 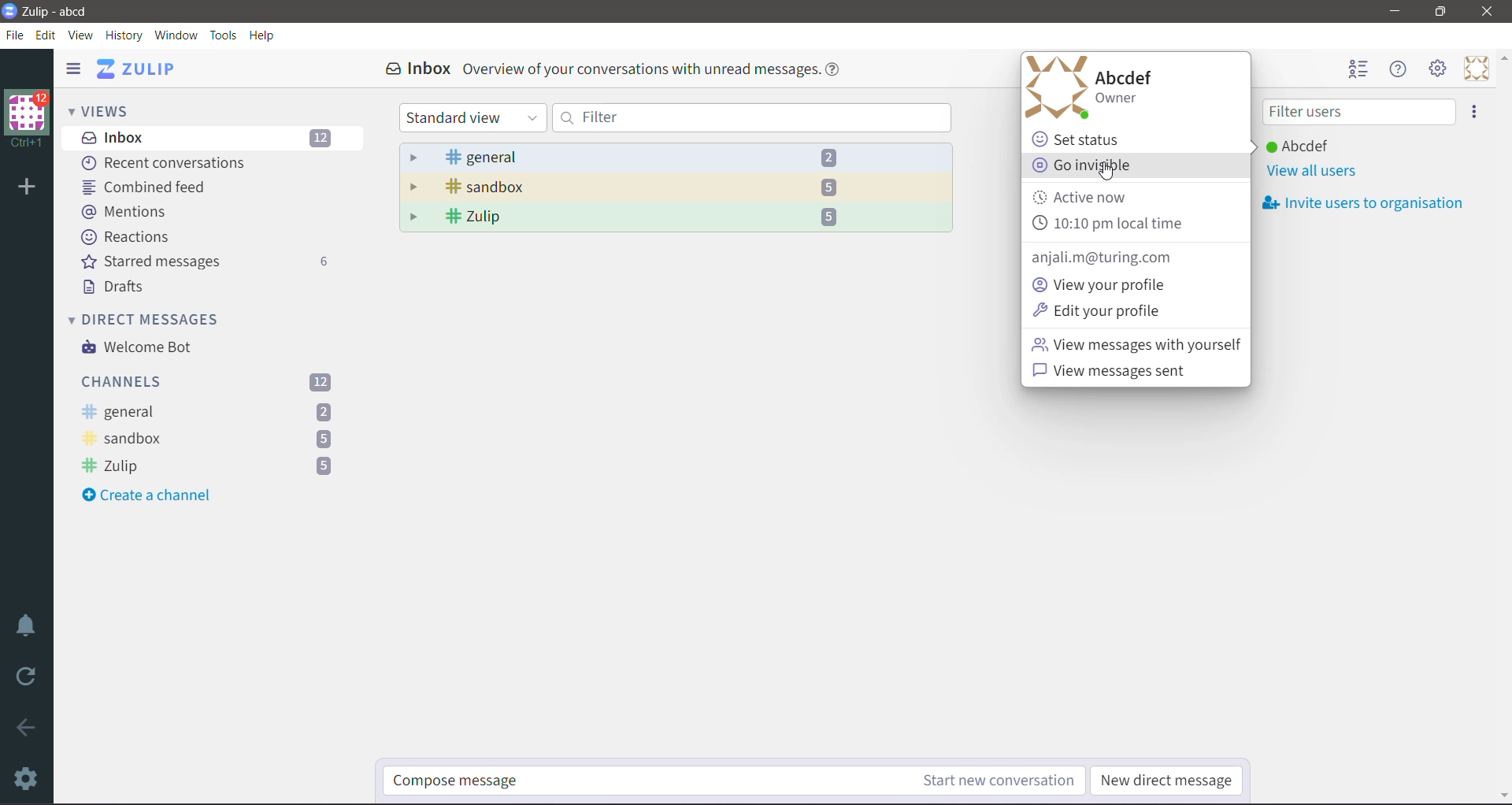 What do you see at coordinates (150, 187) in the screenshot?
I see `Combined feed` at bounding box center [150, 187].